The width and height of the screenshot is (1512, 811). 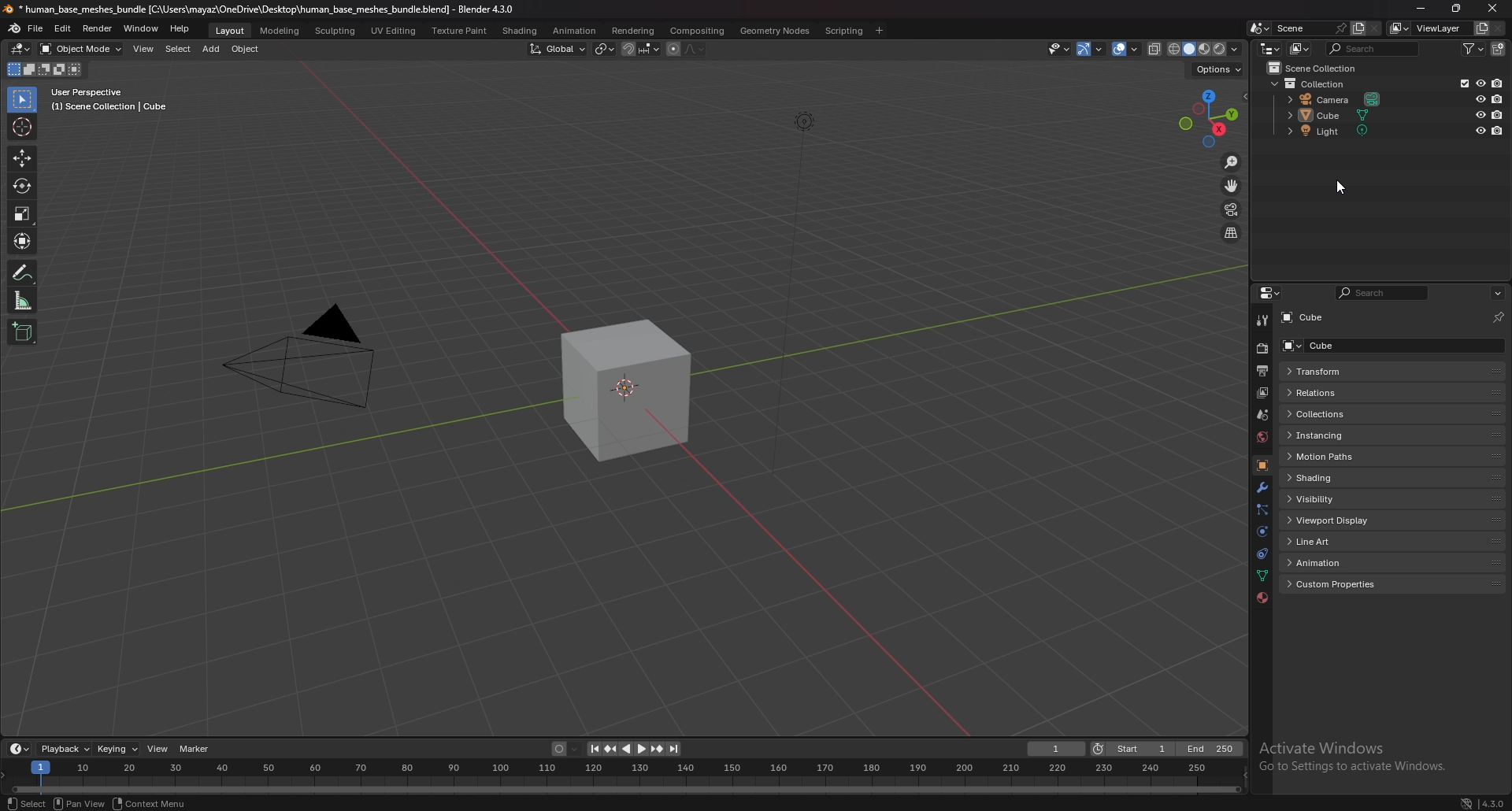 I want to click on camera view, so click(x=1231, y=209).